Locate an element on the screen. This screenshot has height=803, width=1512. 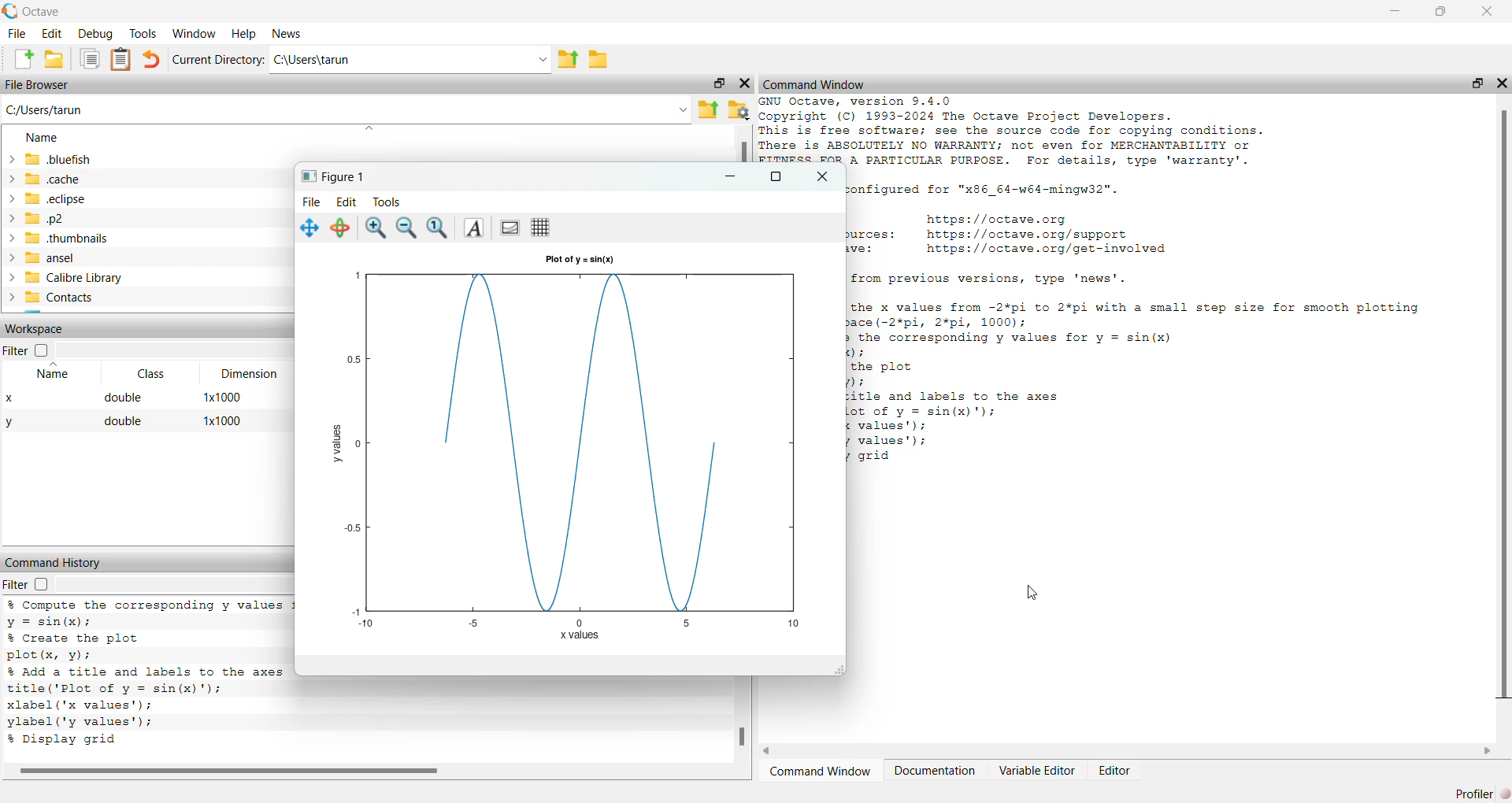
rotate 3d is located at coordinates (341, 228).